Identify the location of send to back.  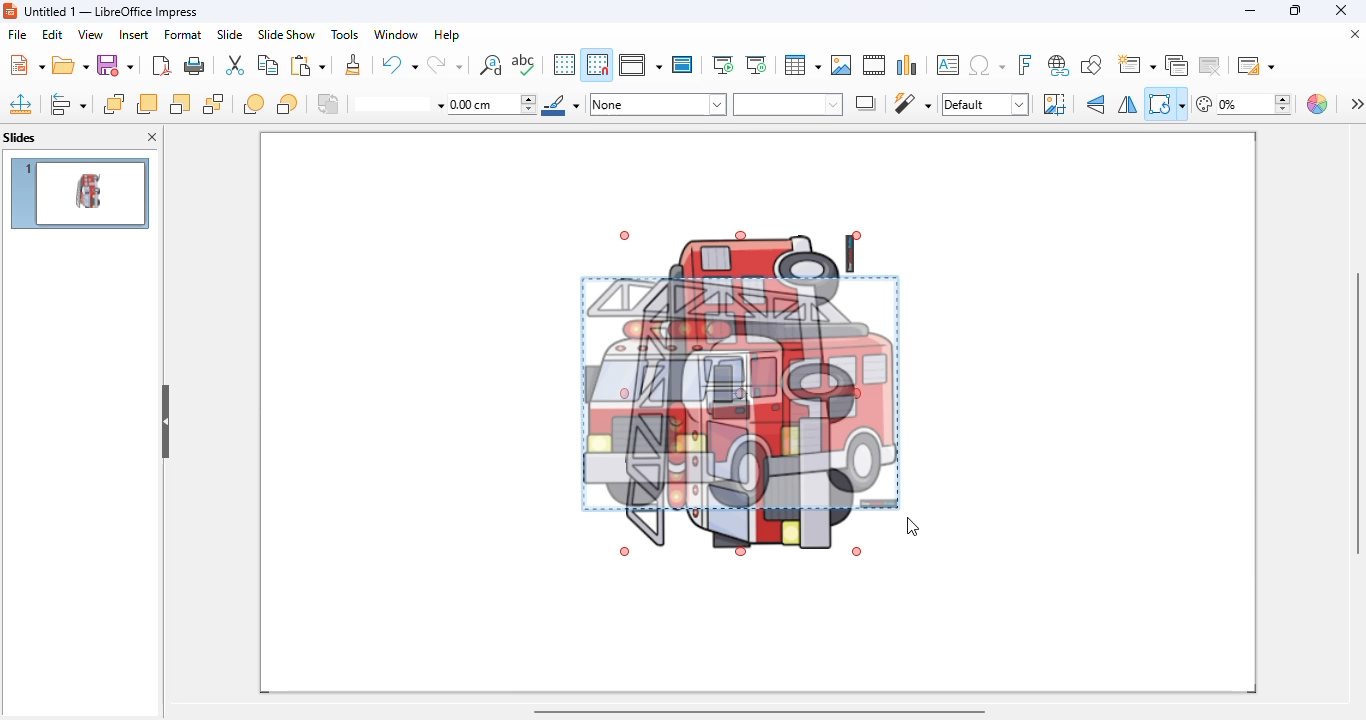
(214, 104).